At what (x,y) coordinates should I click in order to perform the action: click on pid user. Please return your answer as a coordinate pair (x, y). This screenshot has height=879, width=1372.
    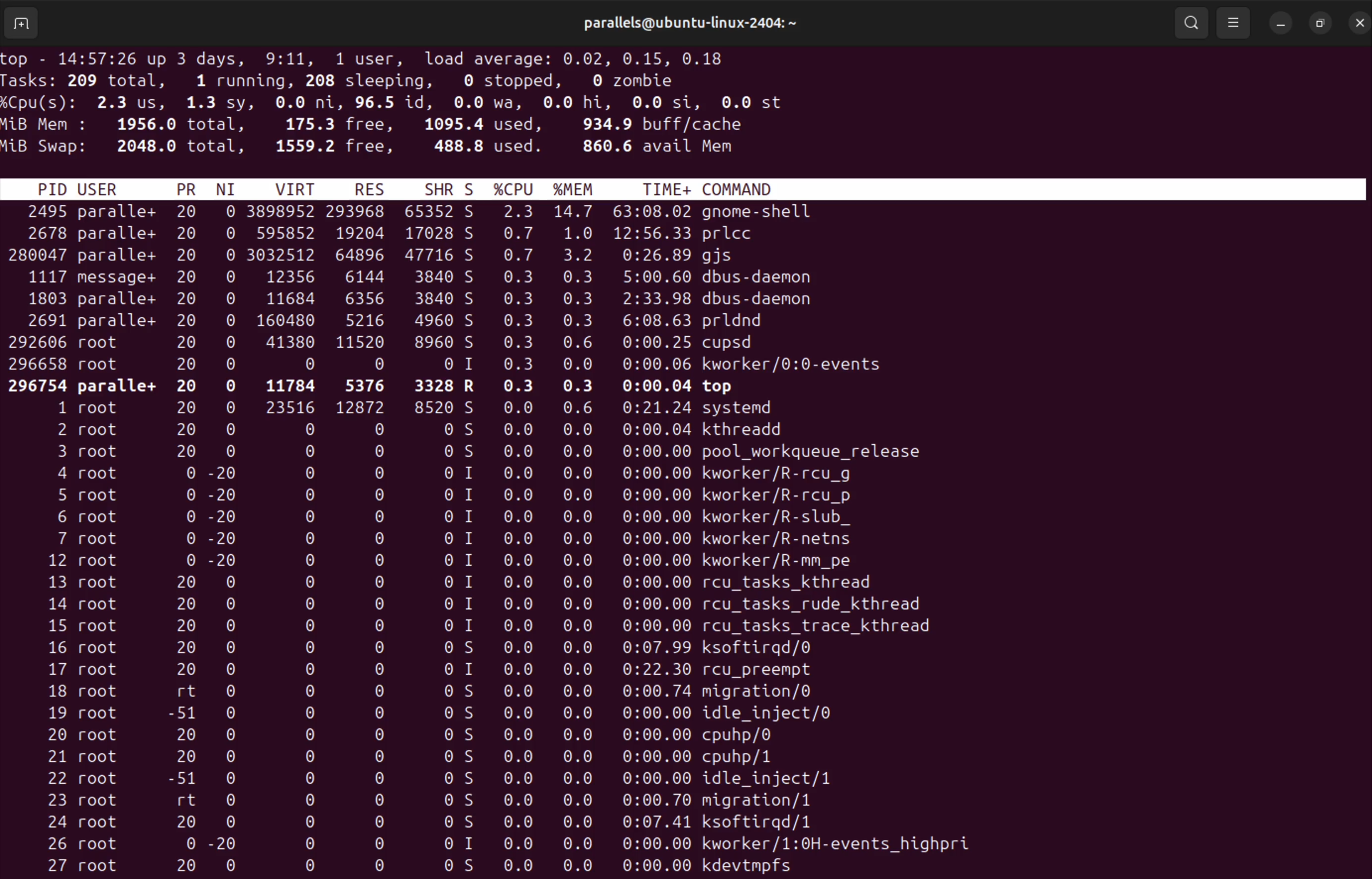
    Looking at the image, I should click on (78, 188).